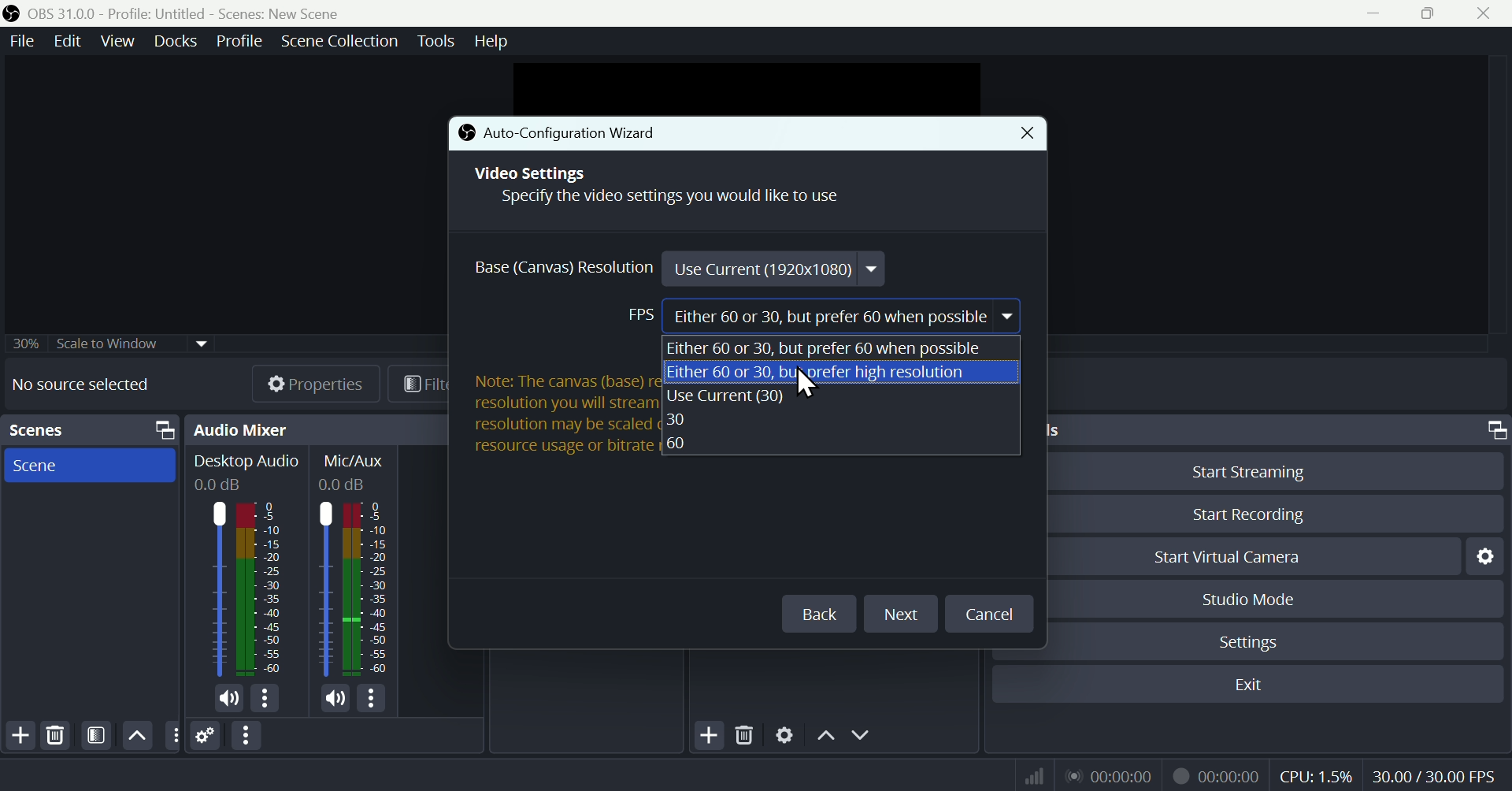  Describe the element at coordinates (667, 189) in the screenshot. I see `Video Settings
Specify the video settings you would like to use` at that location.